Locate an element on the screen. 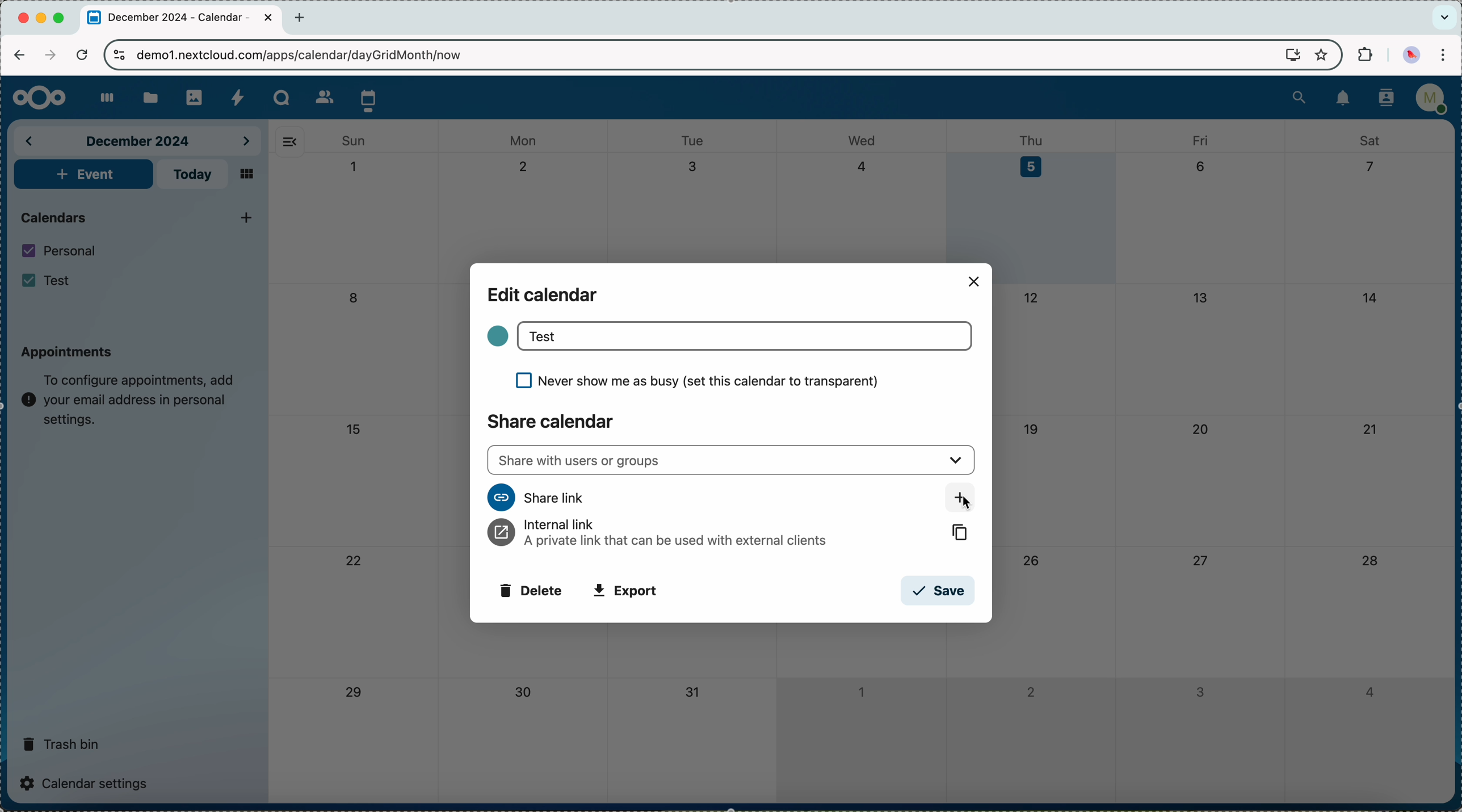 Image resolution: width=1462 pixels, height=812 pixels. maximize is located at coordinates (61, 18).